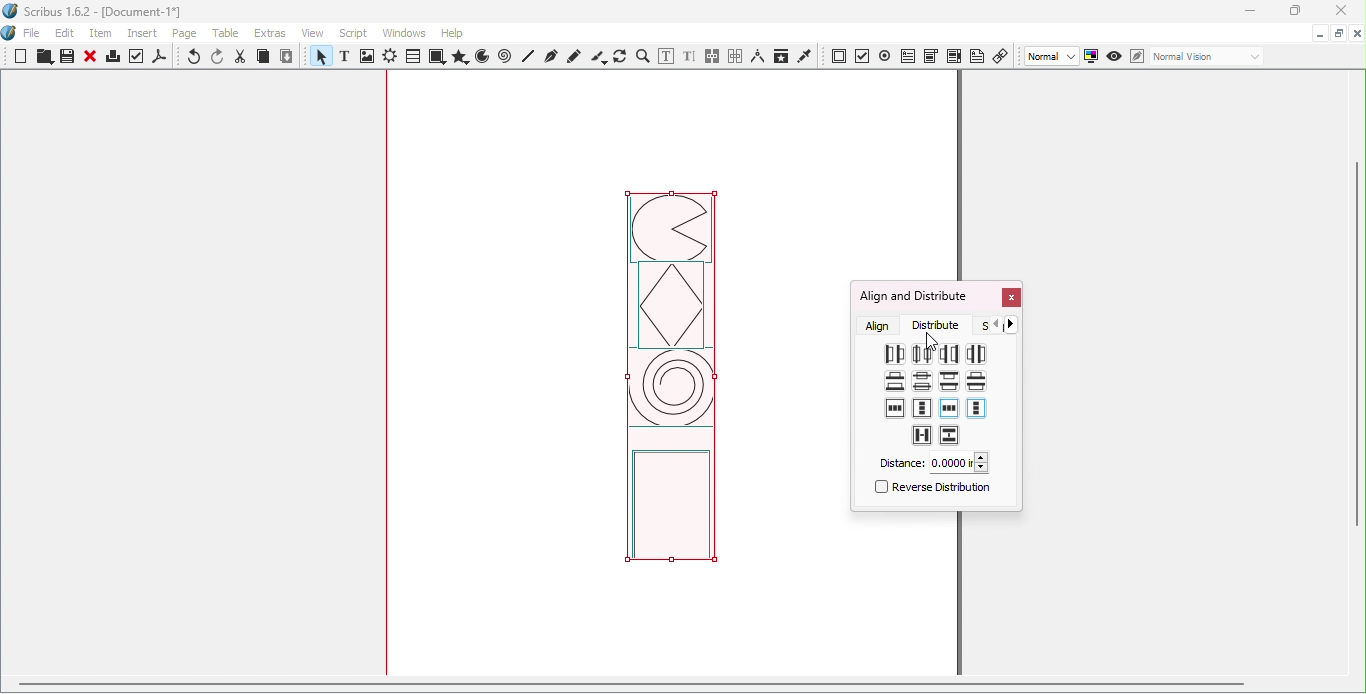 The image size is (1366, 694). I want to click on Toggle color management system, so click(1092, 55).